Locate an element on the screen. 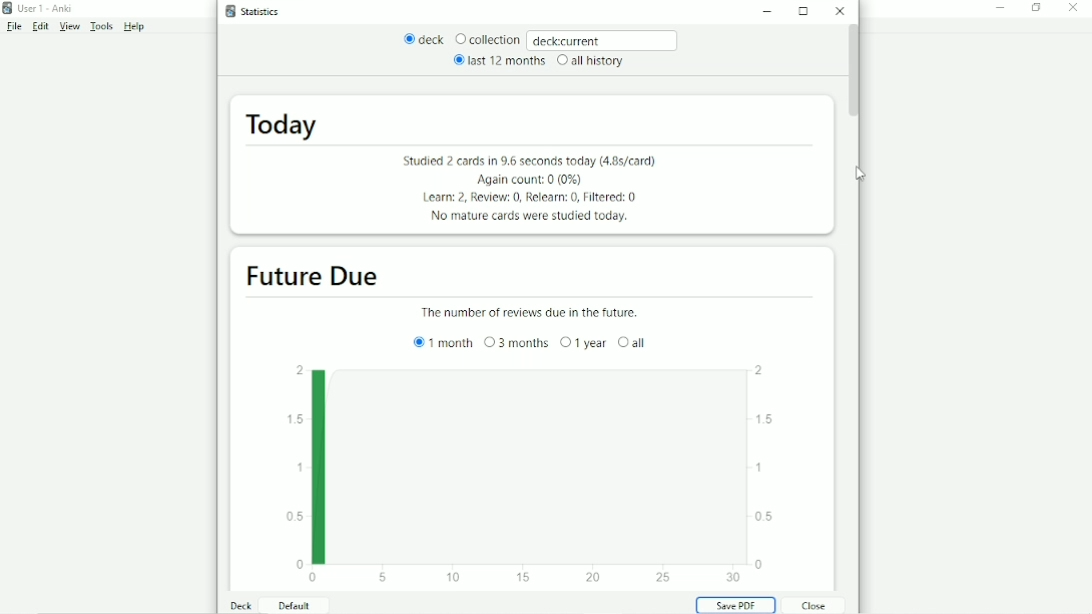 This screenshot has height=614, width=1092. Close is located at coordinates (811, 605).